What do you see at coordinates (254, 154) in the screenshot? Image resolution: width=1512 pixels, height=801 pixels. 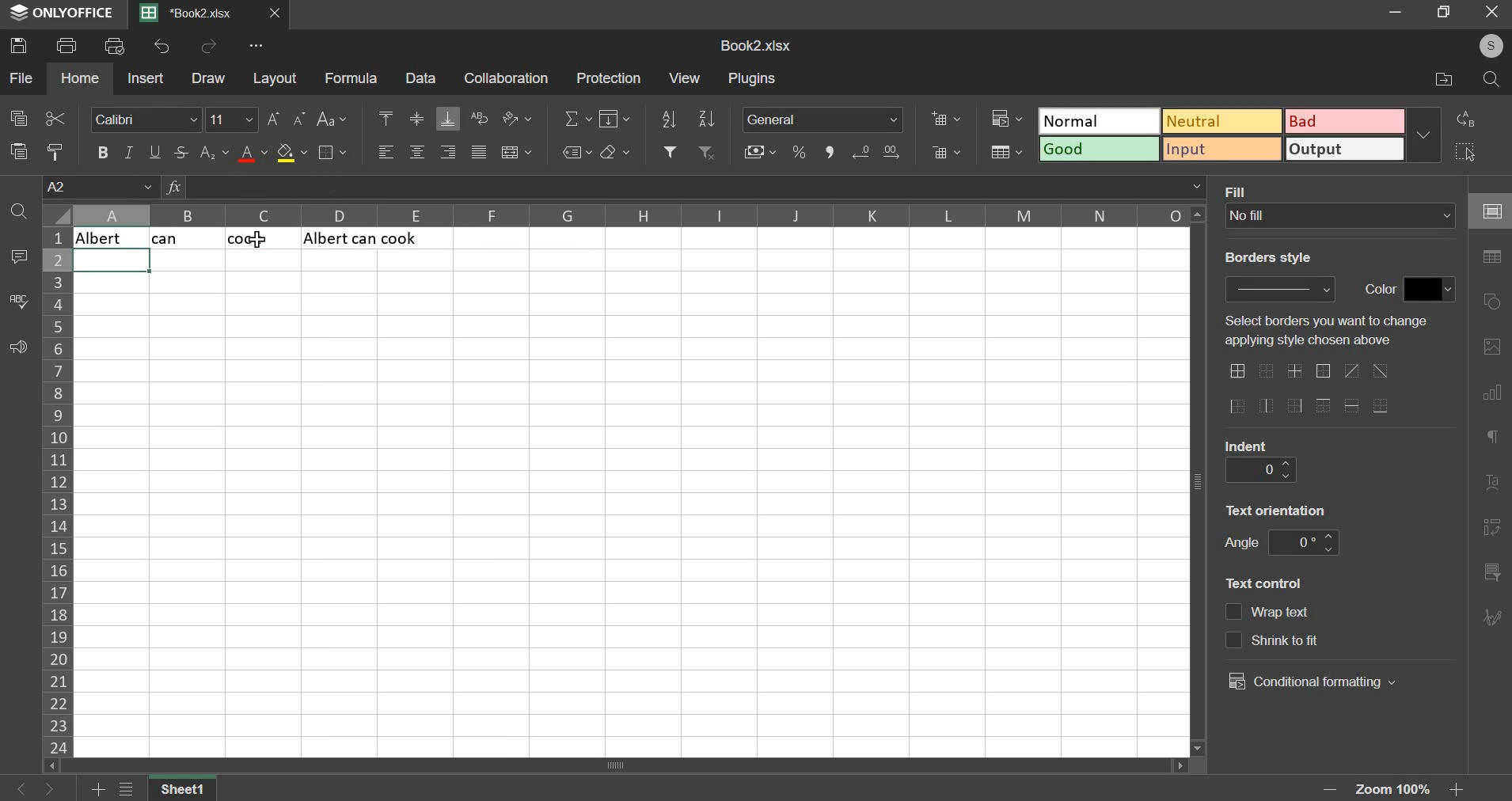 I see `text color` at bounding box center [254, 154].